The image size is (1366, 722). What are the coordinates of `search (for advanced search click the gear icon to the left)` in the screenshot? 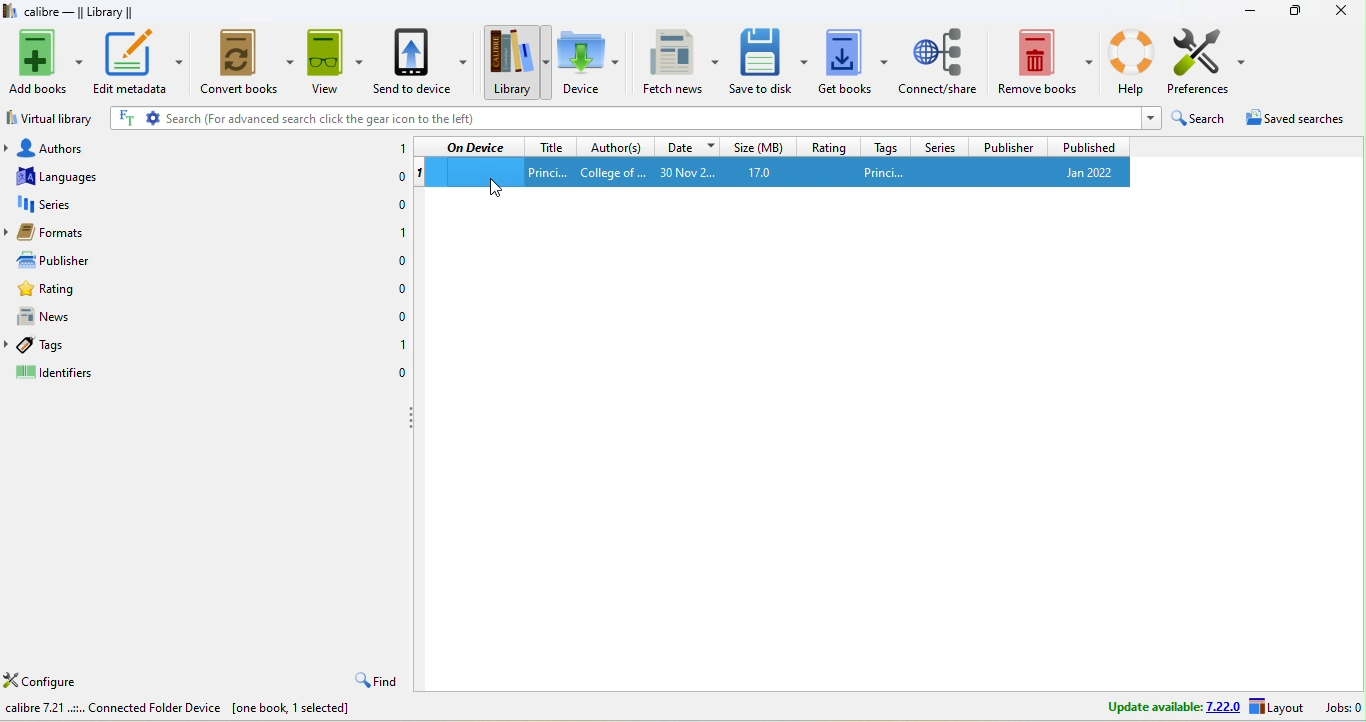 It's located at (651, 119).